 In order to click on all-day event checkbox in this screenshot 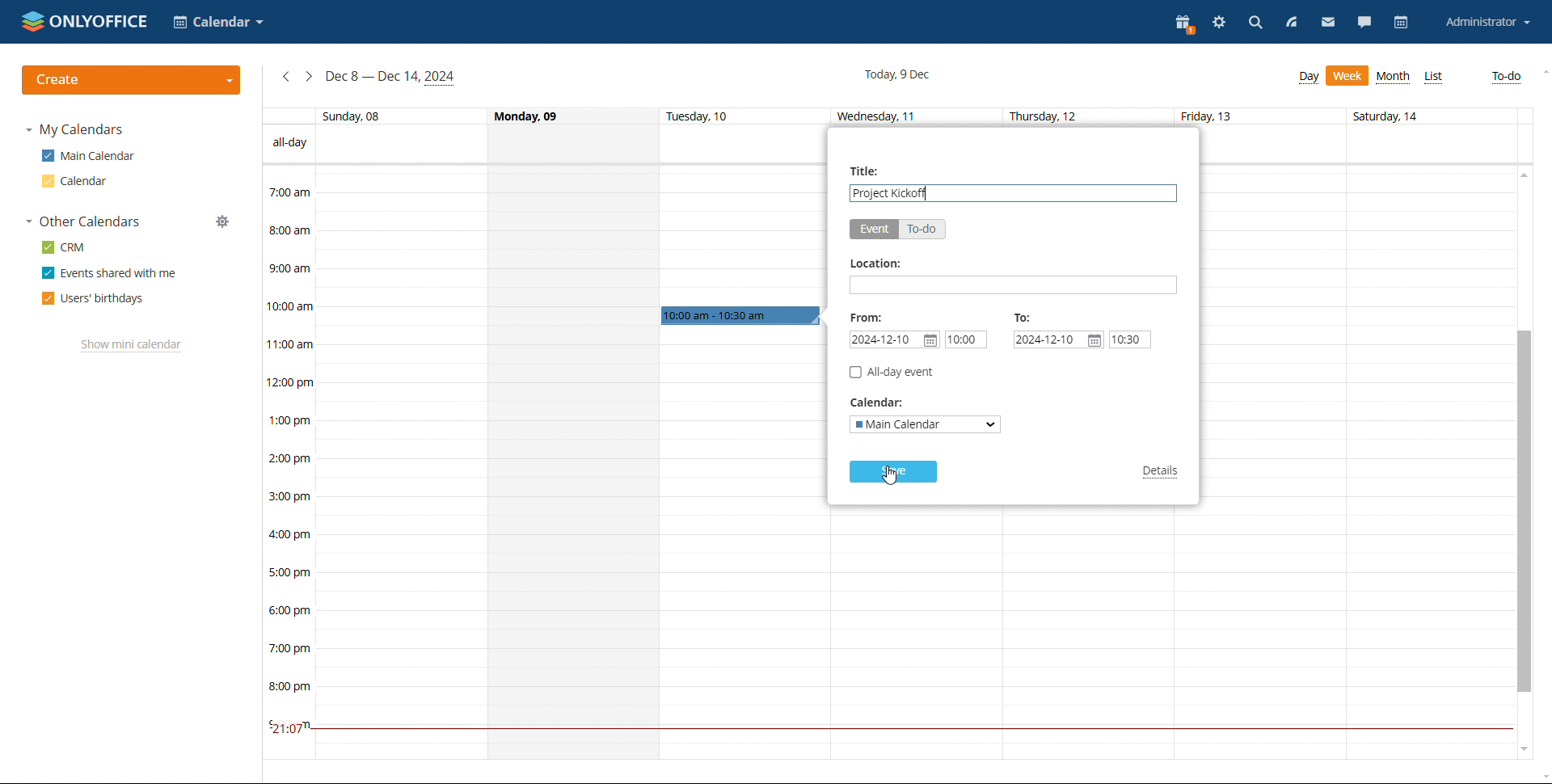, I will do `click(891, 372)`.